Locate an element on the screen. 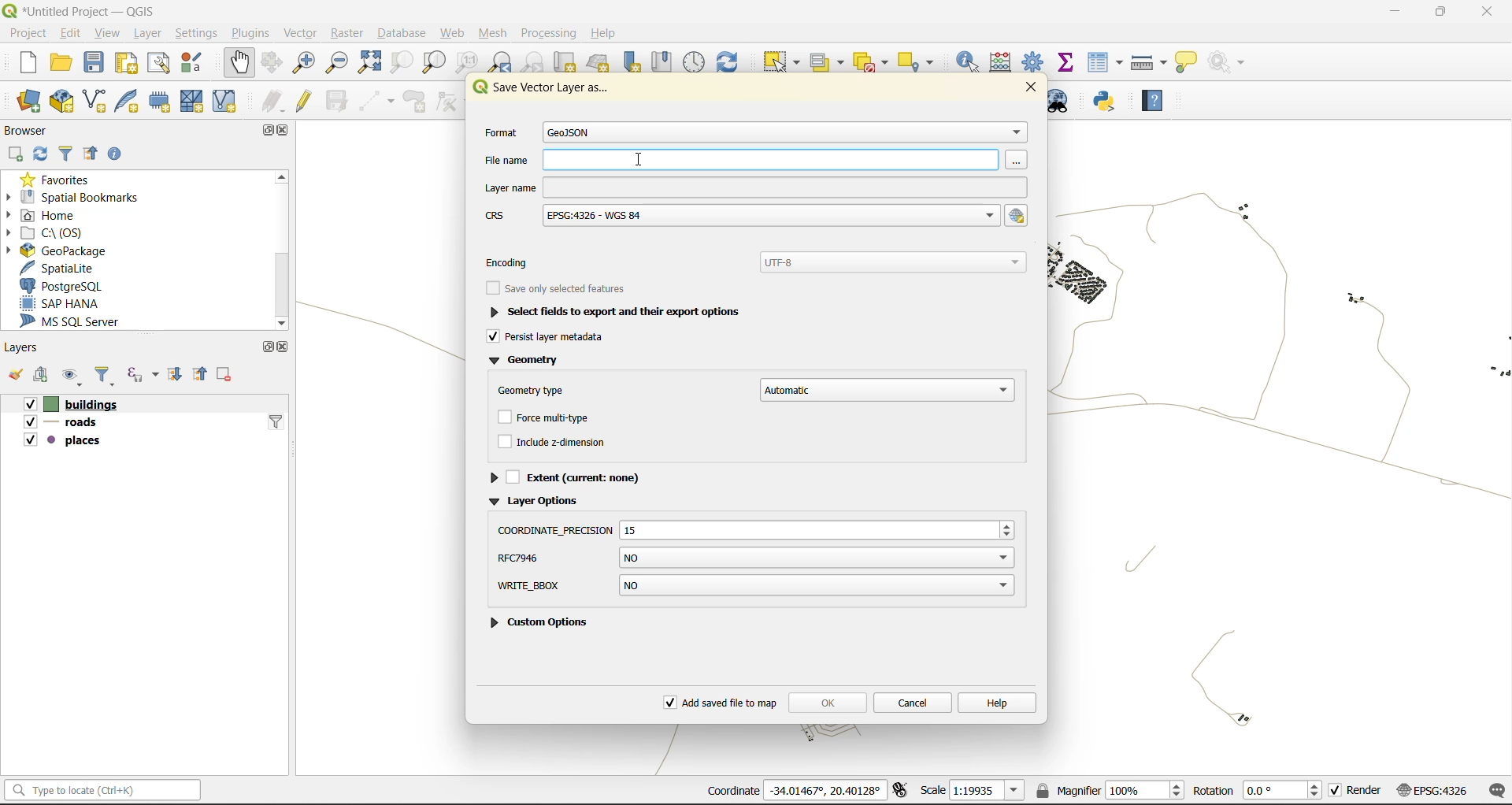 The image size is (1512, 805). help is located at coordinates (603, 32).